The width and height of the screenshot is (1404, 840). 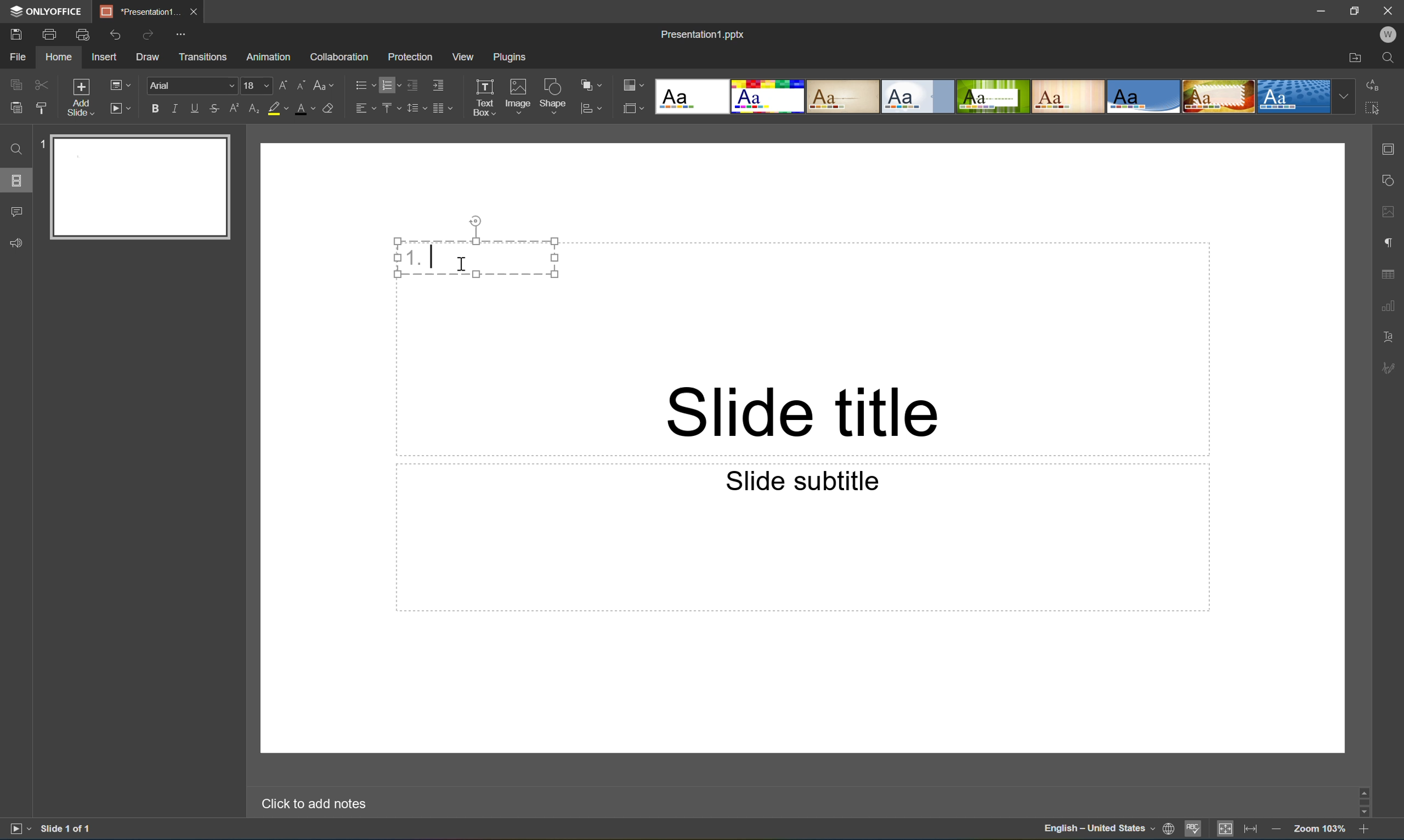 I want to click on Signature settings, so click(x=1391, y=368).